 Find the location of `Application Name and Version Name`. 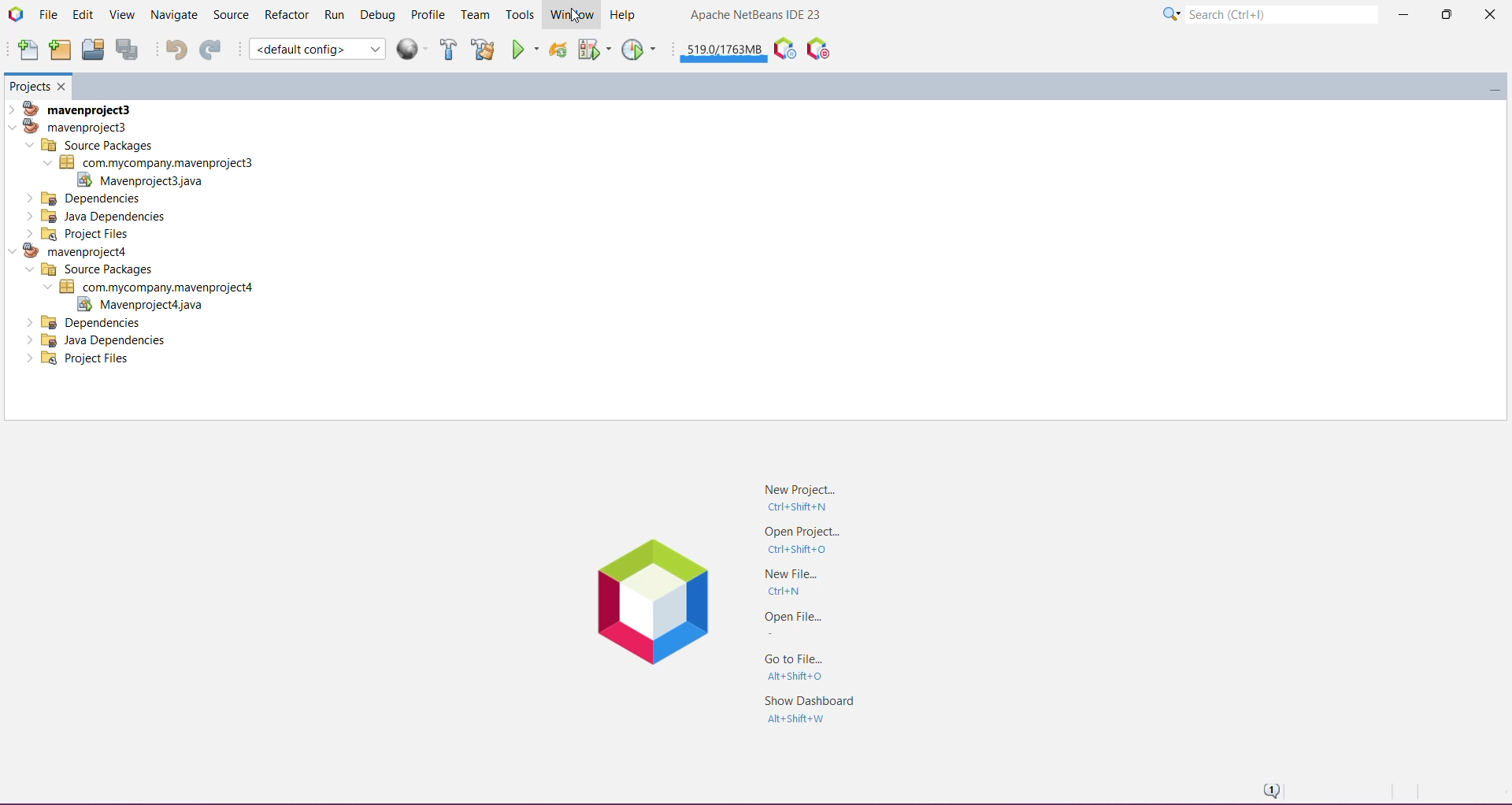

Application Name and Version Name is located at coordinates (757, 16).